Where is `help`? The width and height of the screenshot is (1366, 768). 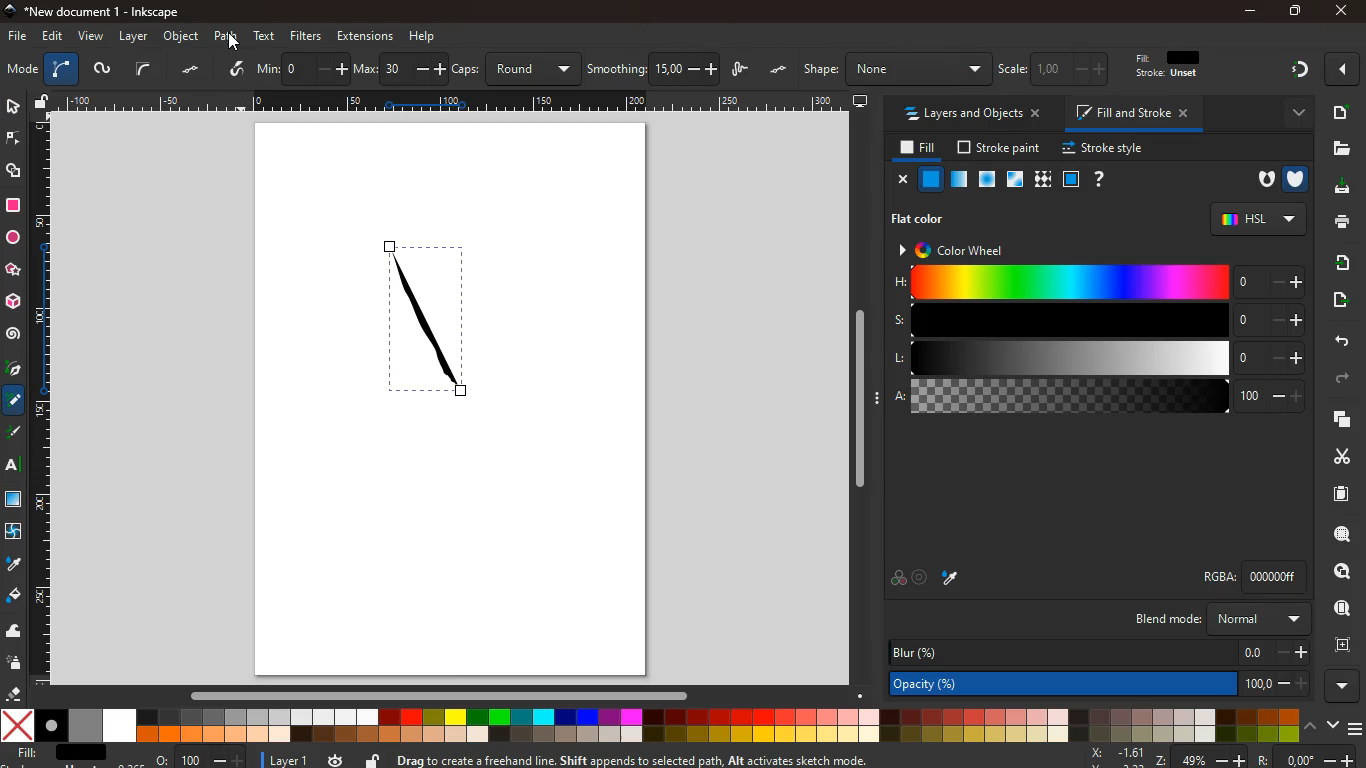
help is located at coordinates (1100, 180).